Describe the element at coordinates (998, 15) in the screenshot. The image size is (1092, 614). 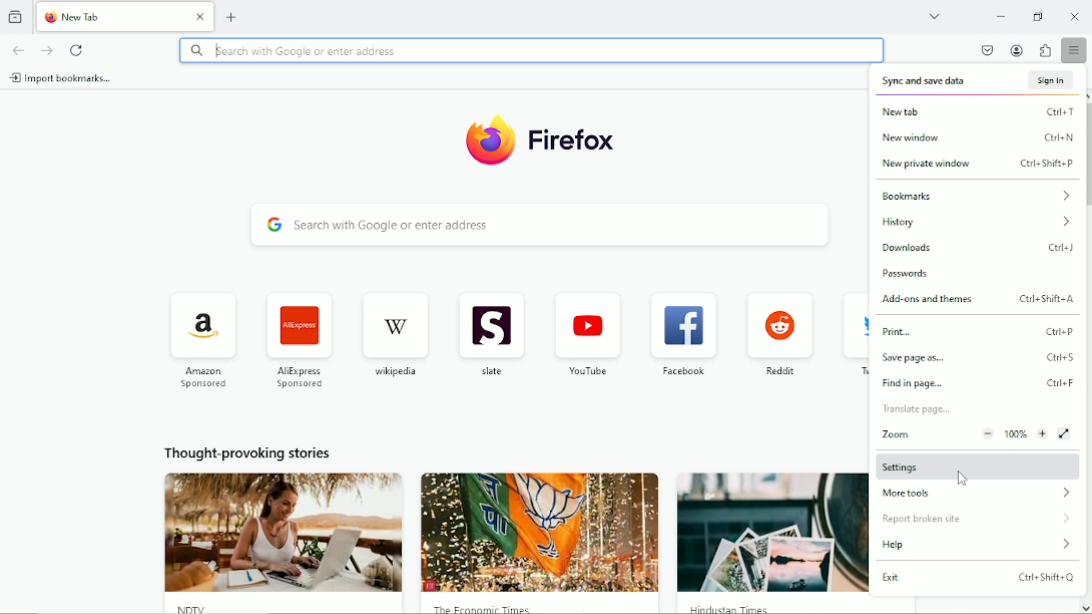
I see `minimize ` at that location.